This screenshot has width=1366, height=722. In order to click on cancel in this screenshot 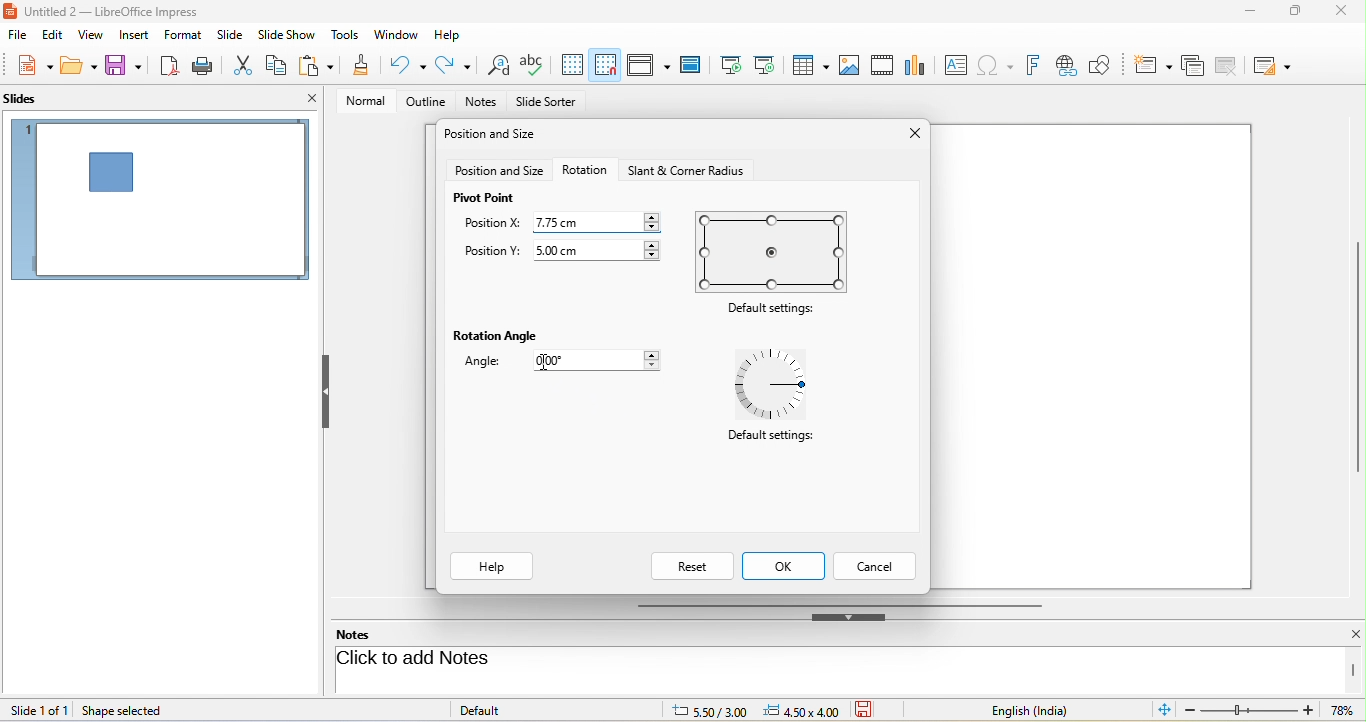, I will do `click(877, 566)`.